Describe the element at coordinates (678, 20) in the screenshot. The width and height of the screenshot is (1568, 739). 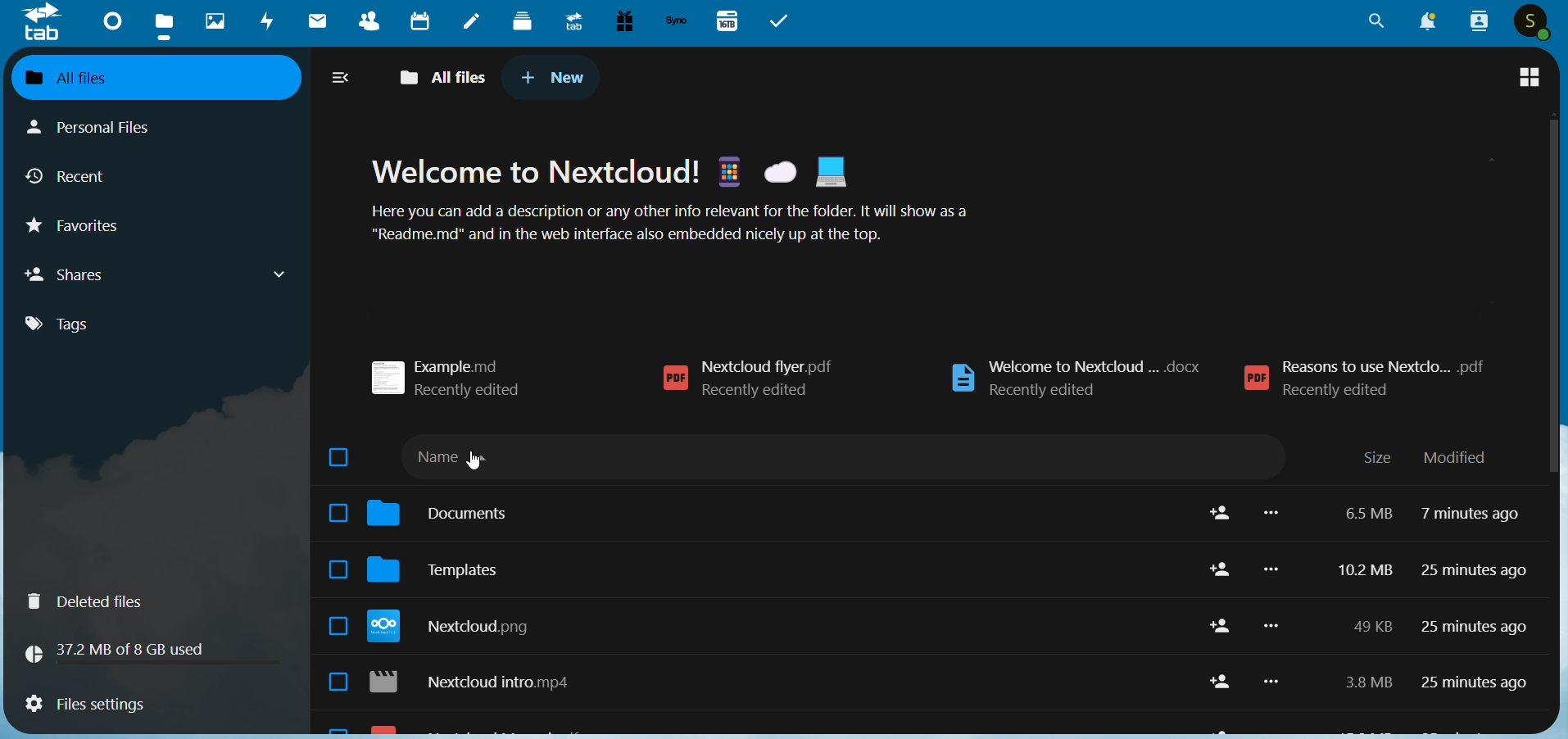
I see `Synology` at that location.